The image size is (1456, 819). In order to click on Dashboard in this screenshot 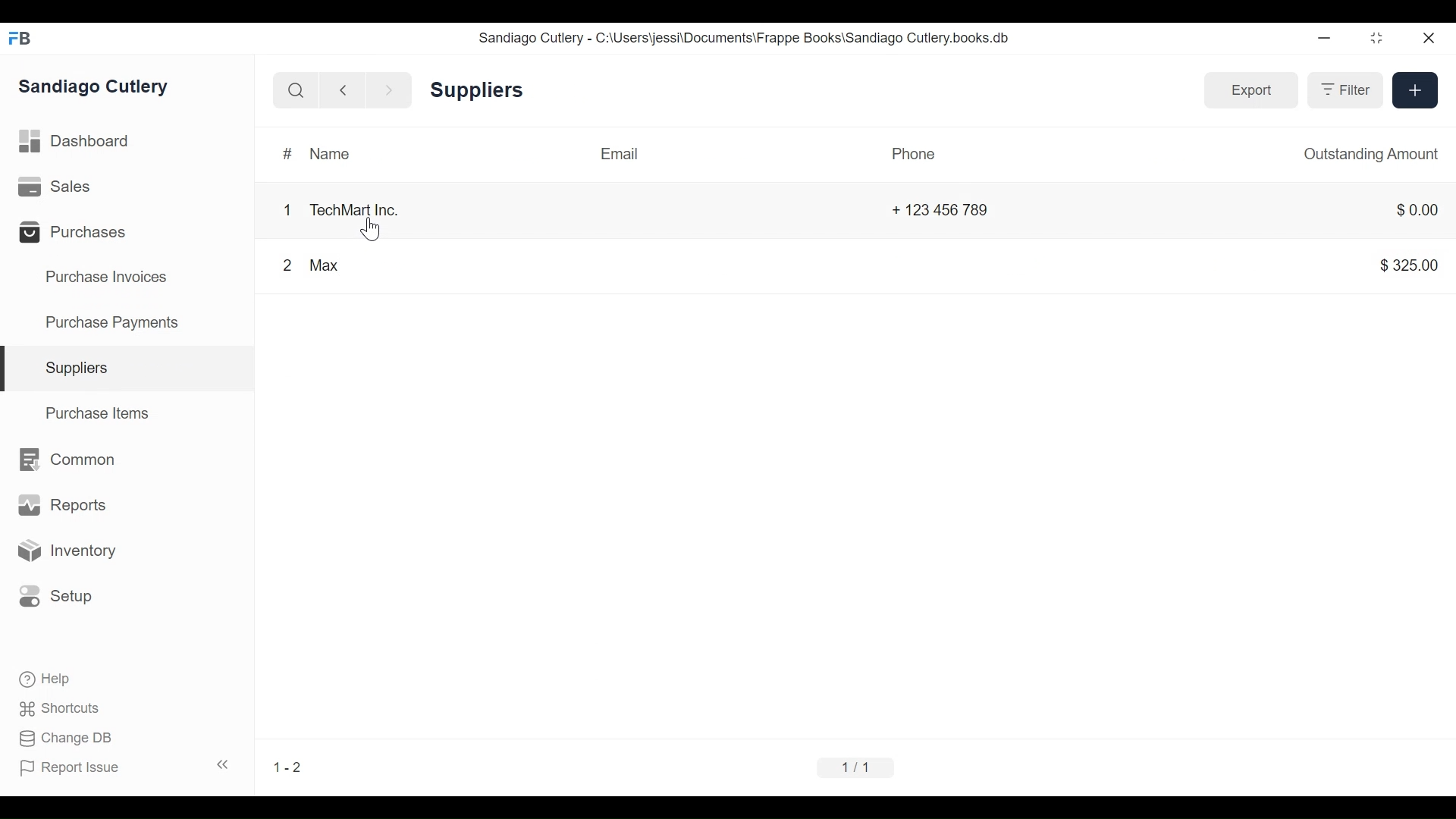, I will do `click(83, 140)`.